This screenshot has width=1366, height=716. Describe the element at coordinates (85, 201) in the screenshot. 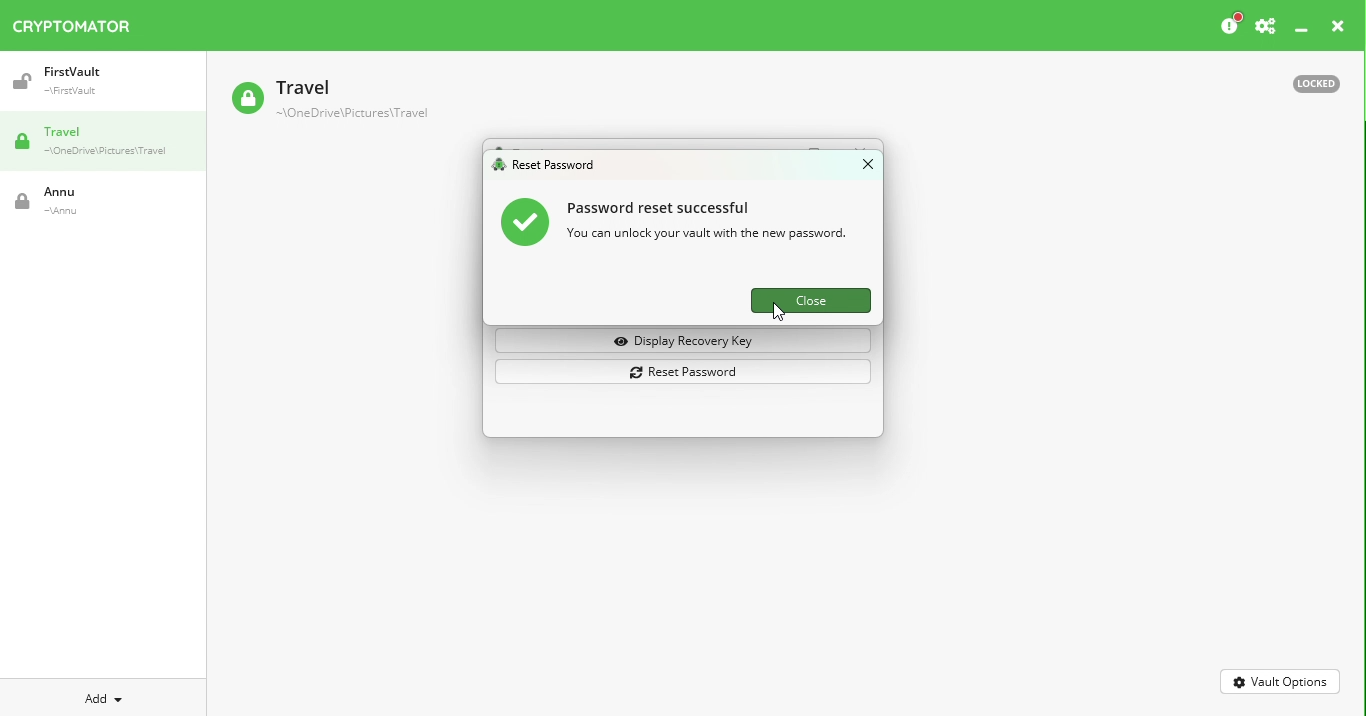

I see `Vault` at that location.